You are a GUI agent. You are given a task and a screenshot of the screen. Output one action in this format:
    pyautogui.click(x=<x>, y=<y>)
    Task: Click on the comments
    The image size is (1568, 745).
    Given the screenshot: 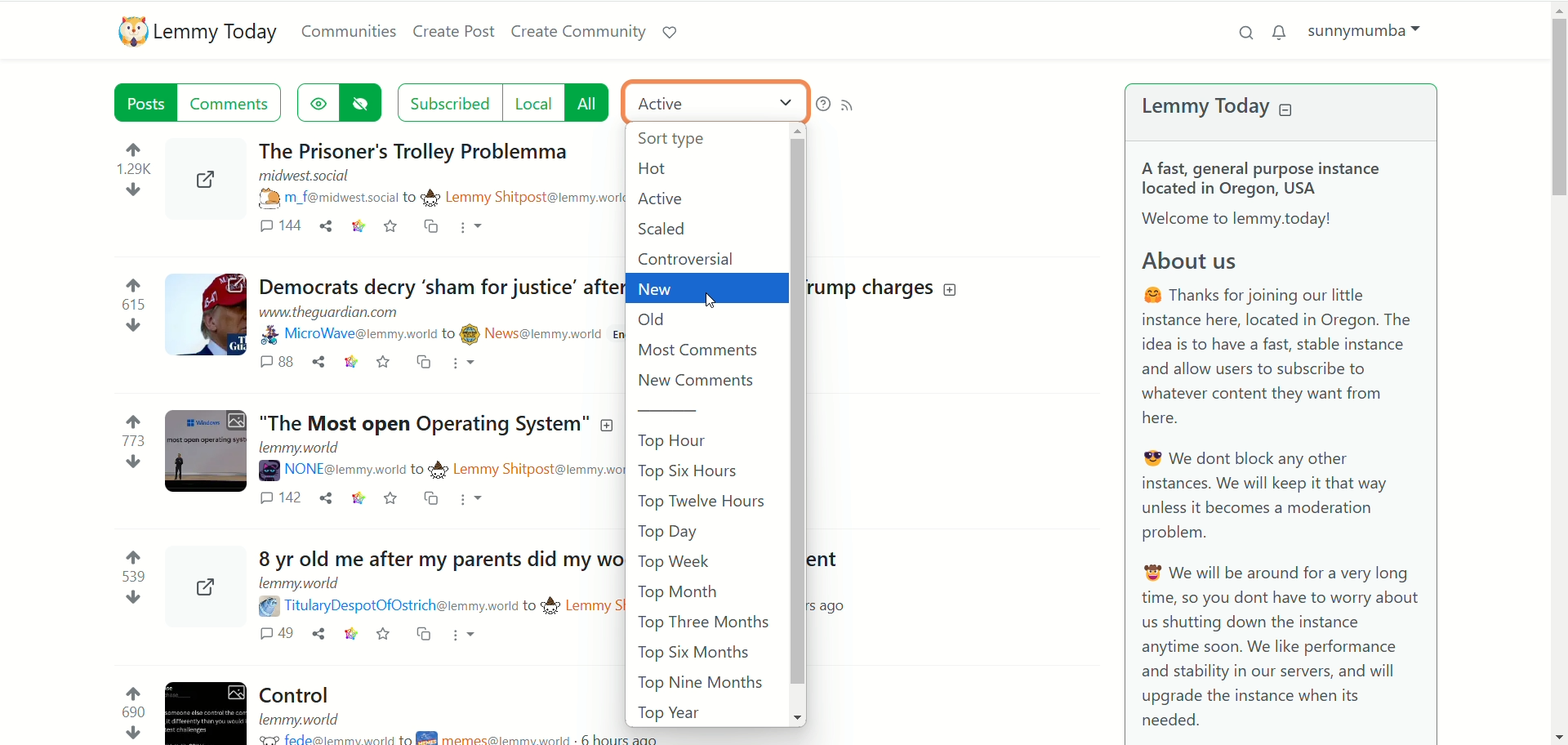 What is the action you would take?
    pyautogui.click(x=278, y=228)
    